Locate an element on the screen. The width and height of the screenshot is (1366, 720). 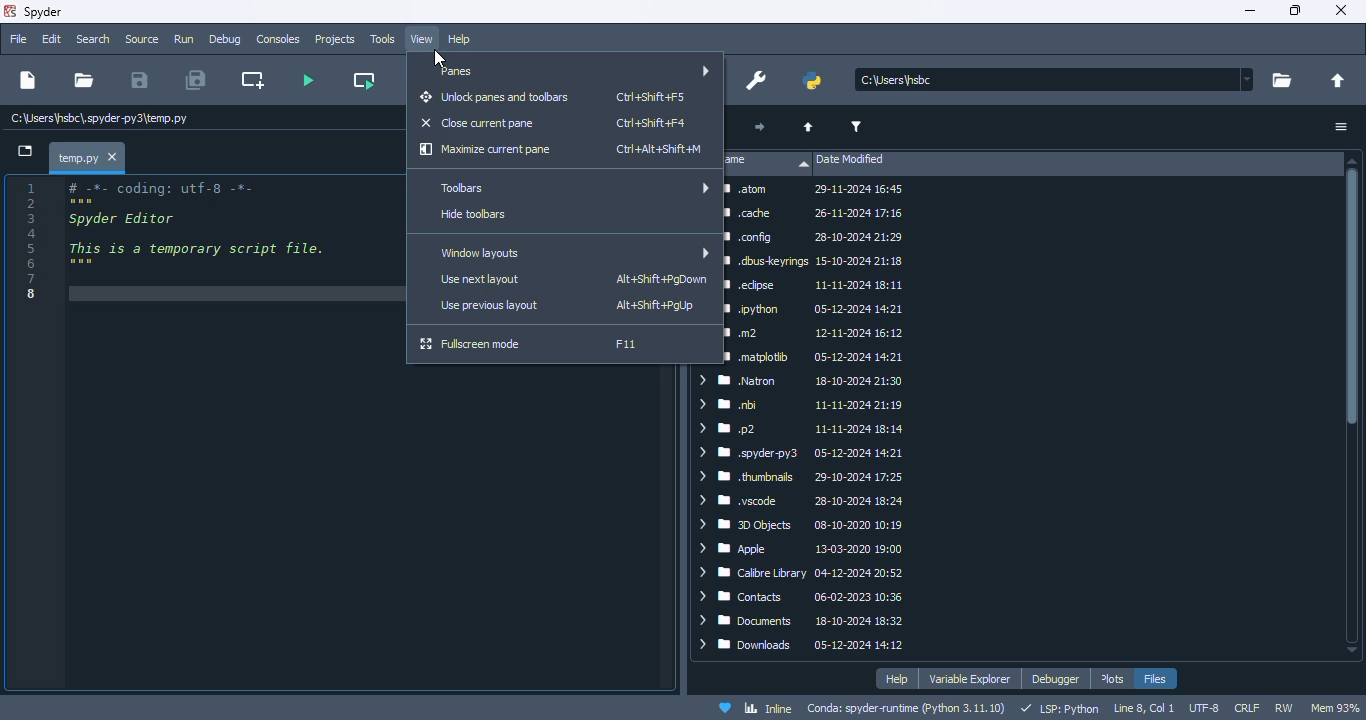
.cache is located at coordinates (814, 212).